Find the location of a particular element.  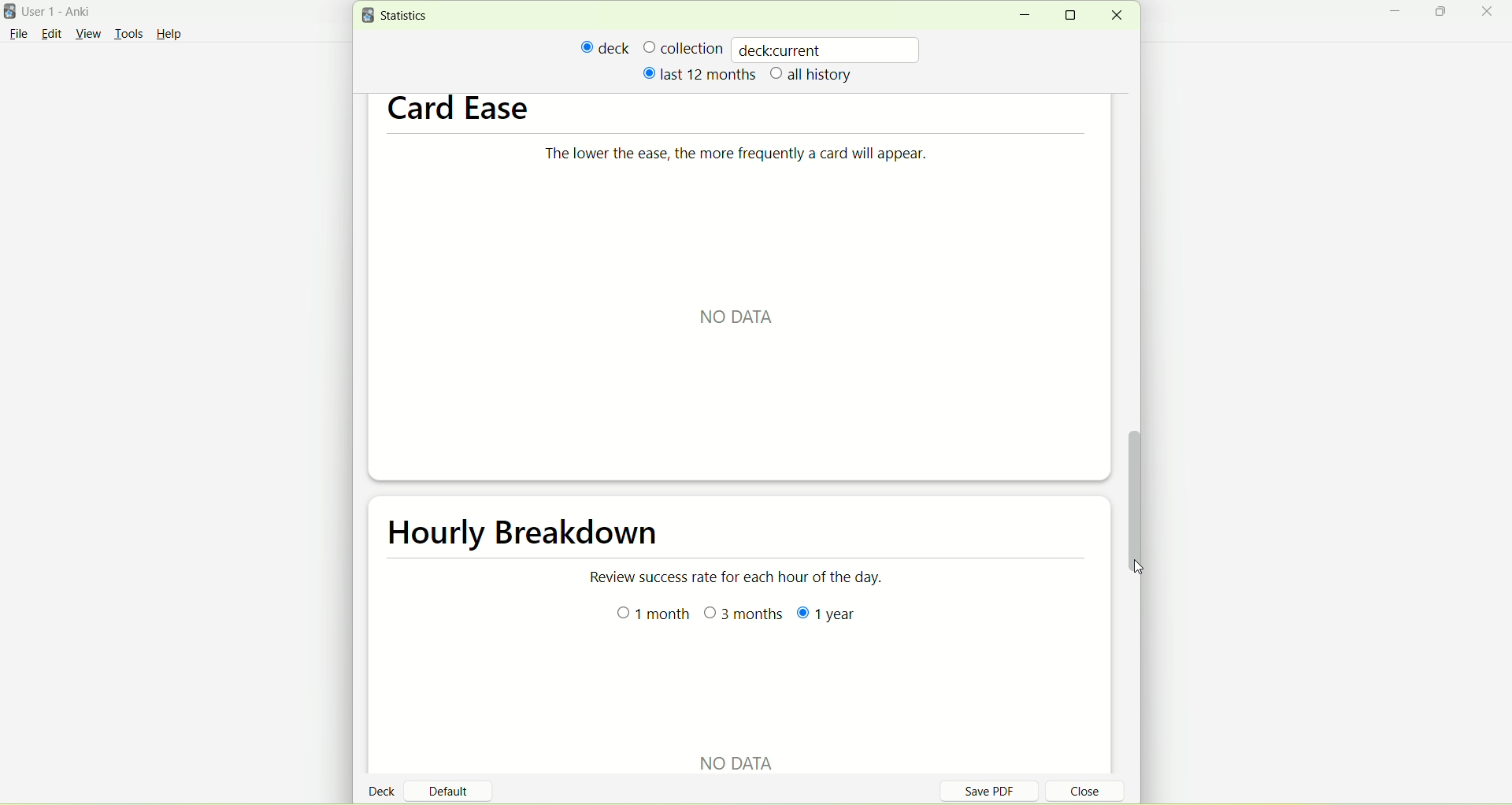

collection is located at coordinates (683, 47).